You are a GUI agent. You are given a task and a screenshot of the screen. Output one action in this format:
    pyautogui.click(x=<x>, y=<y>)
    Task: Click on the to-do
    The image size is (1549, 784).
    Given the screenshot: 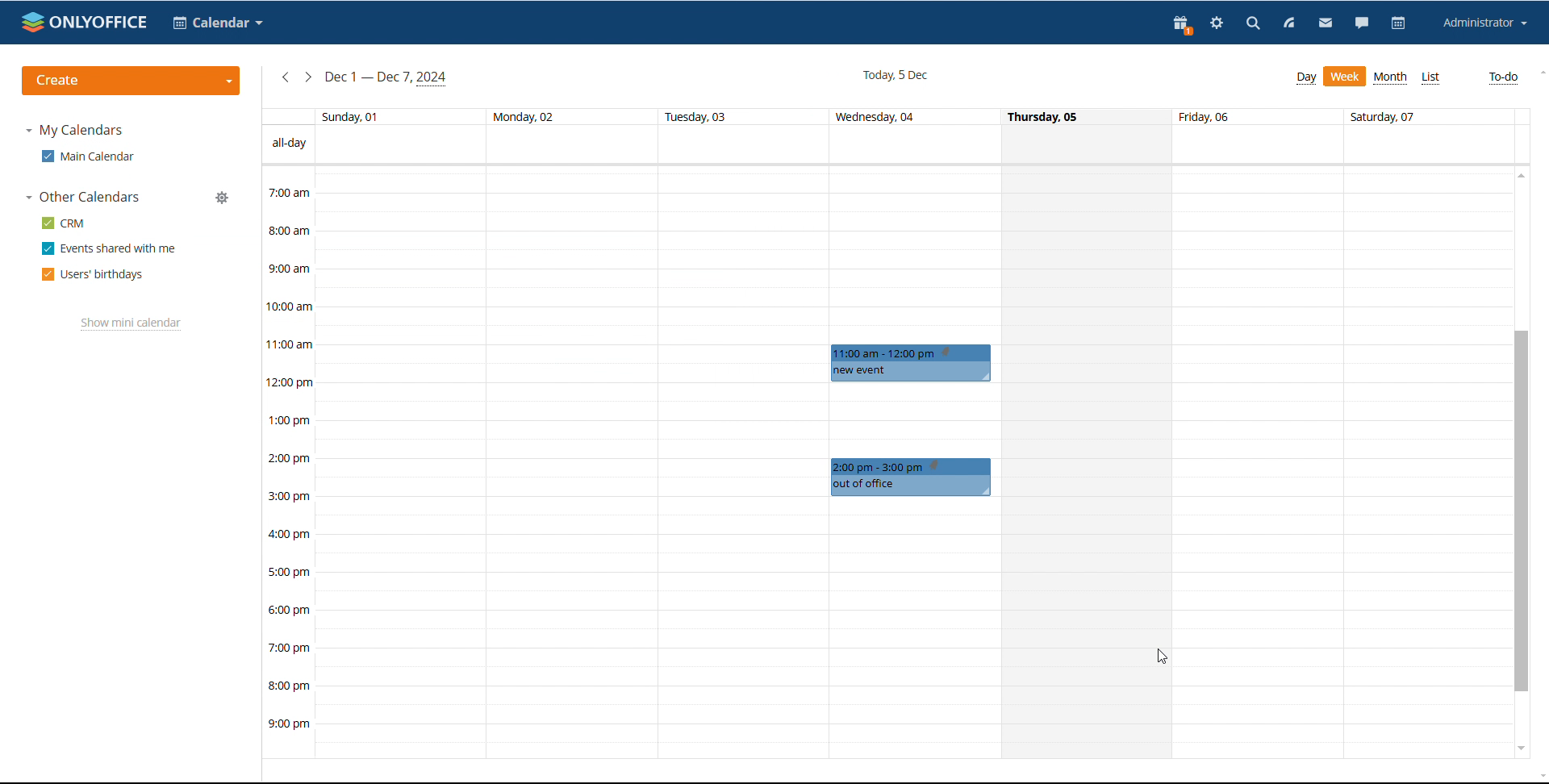 What is the action you would take?
    pyautogui.click(x=1504, y=78)
    